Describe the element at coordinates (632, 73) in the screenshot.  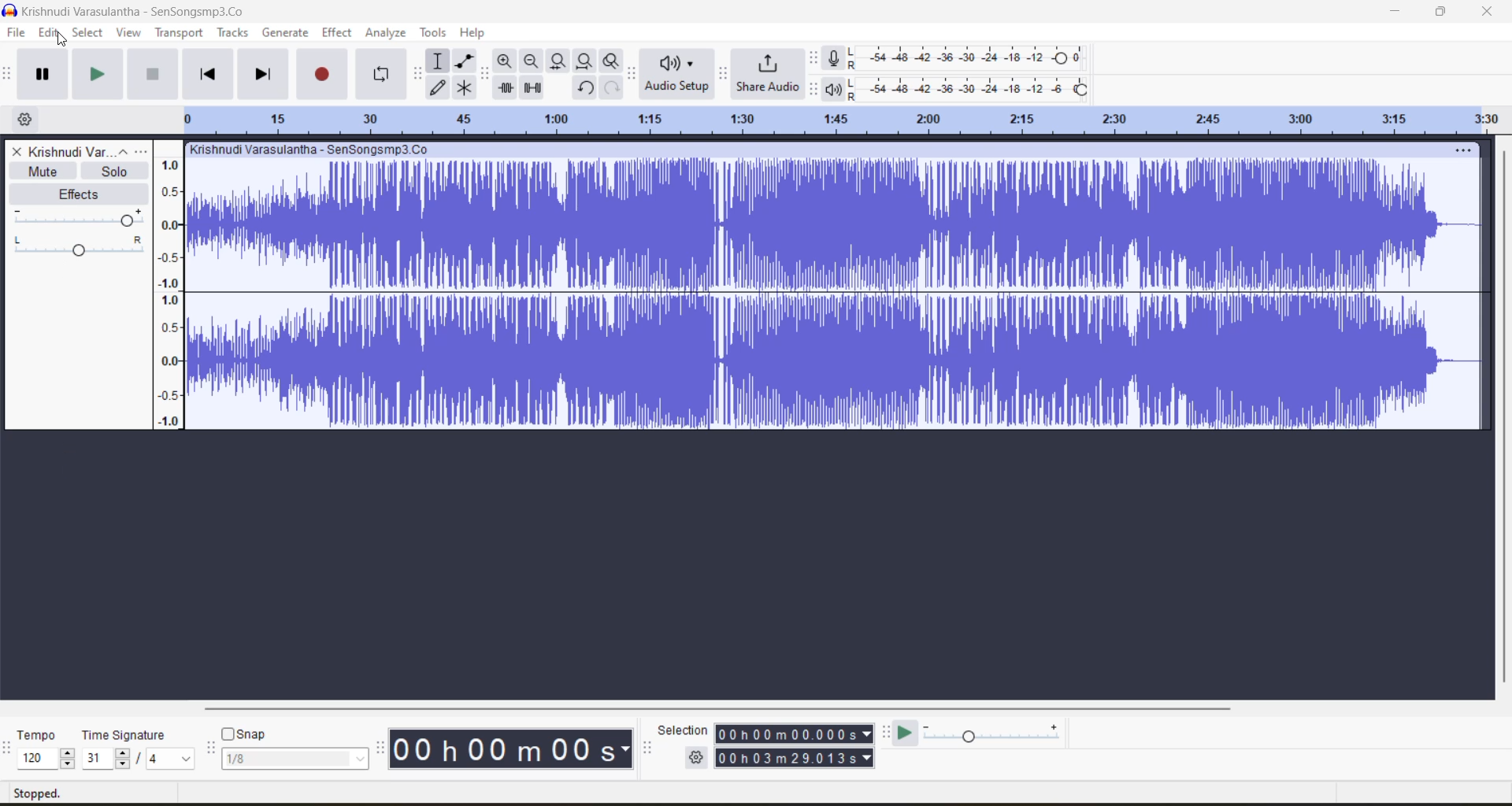
I see `audio setup toolbar` at that location.